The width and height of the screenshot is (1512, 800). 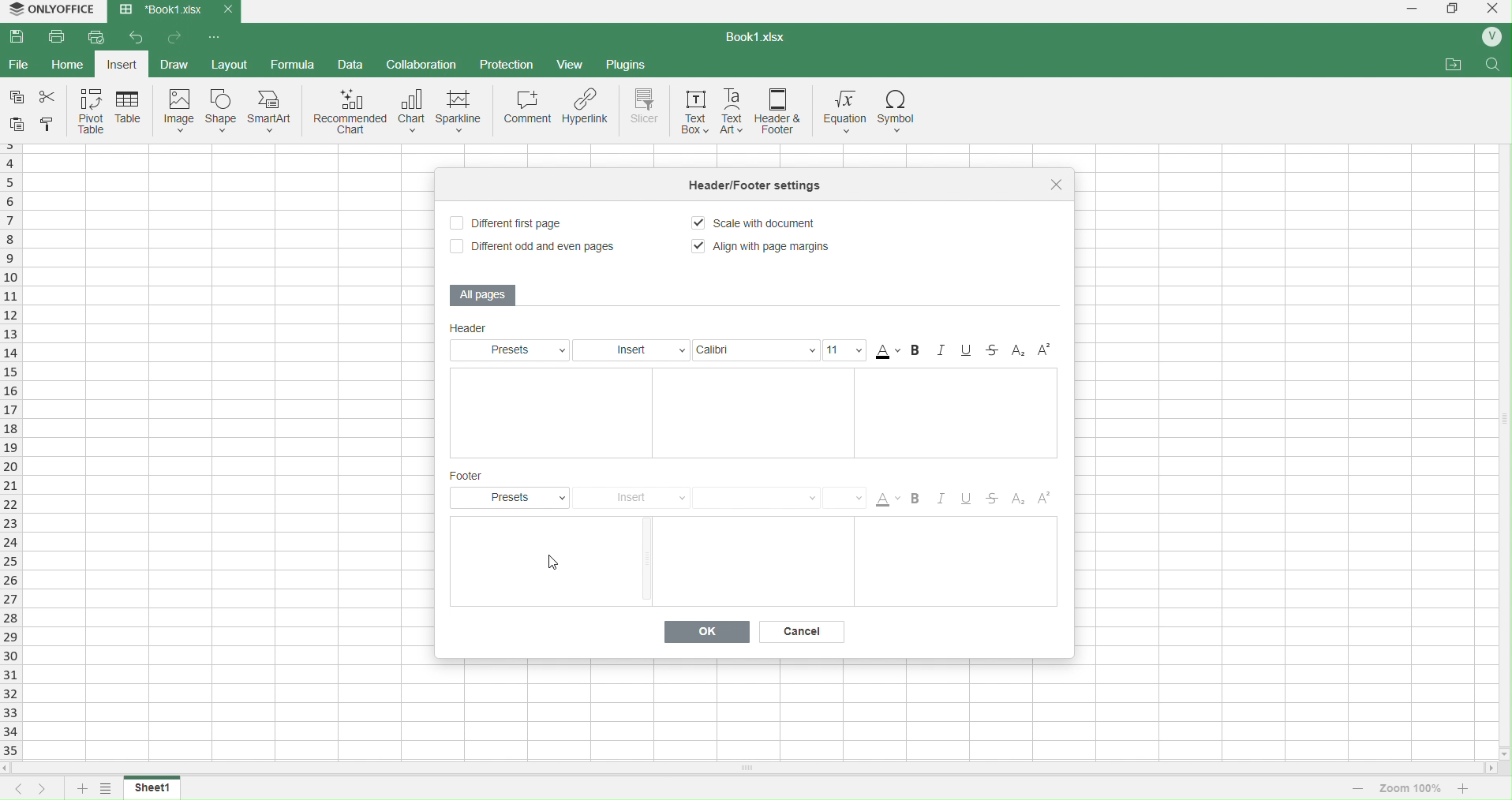 What do you see at coordinates (843, 111) in the screenshot?
I see `equation` at bounding box center [843, 111].